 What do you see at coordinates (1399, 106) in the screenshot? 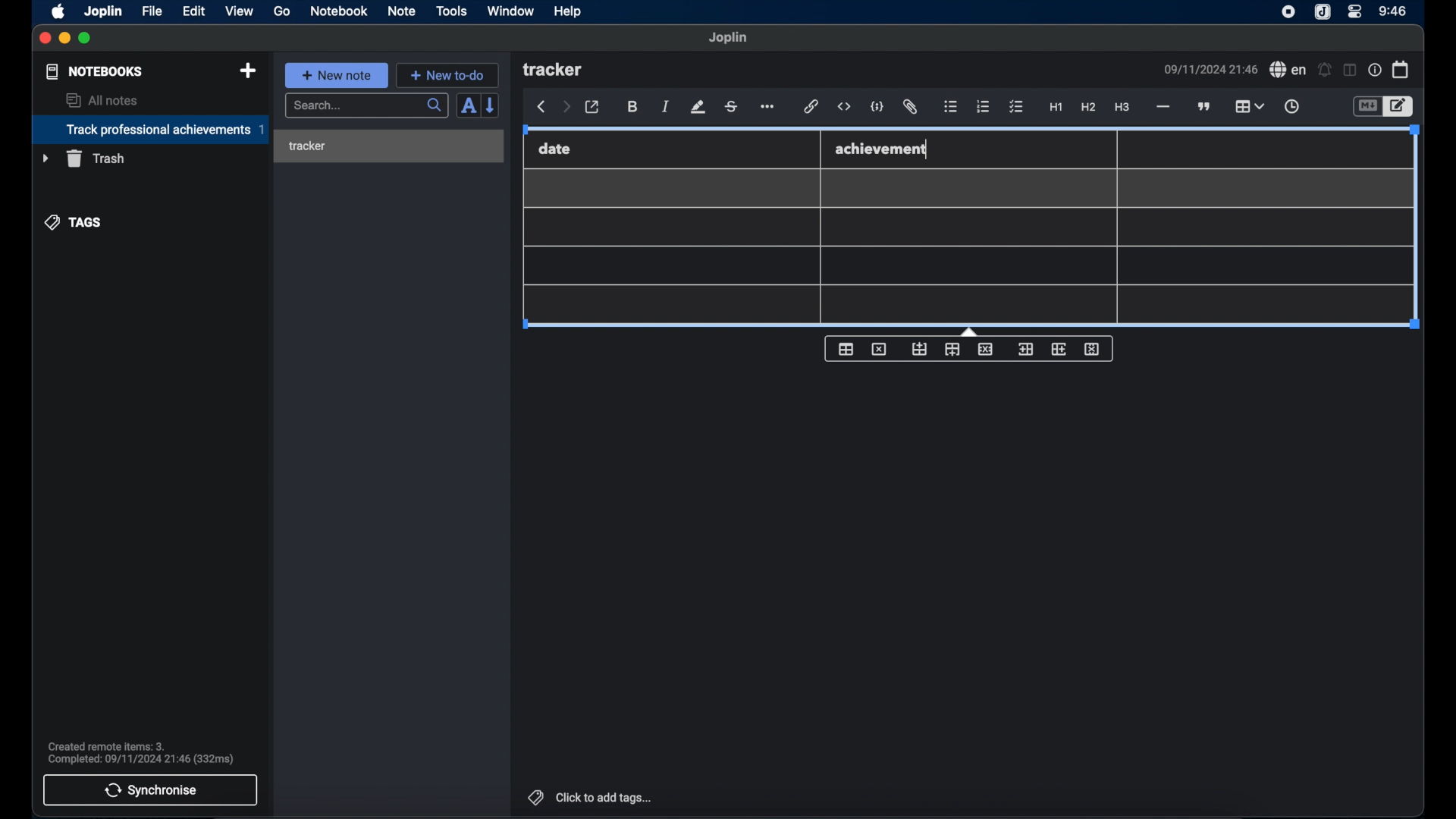
I see `toggle editor` at bounding box center [1399, 106].